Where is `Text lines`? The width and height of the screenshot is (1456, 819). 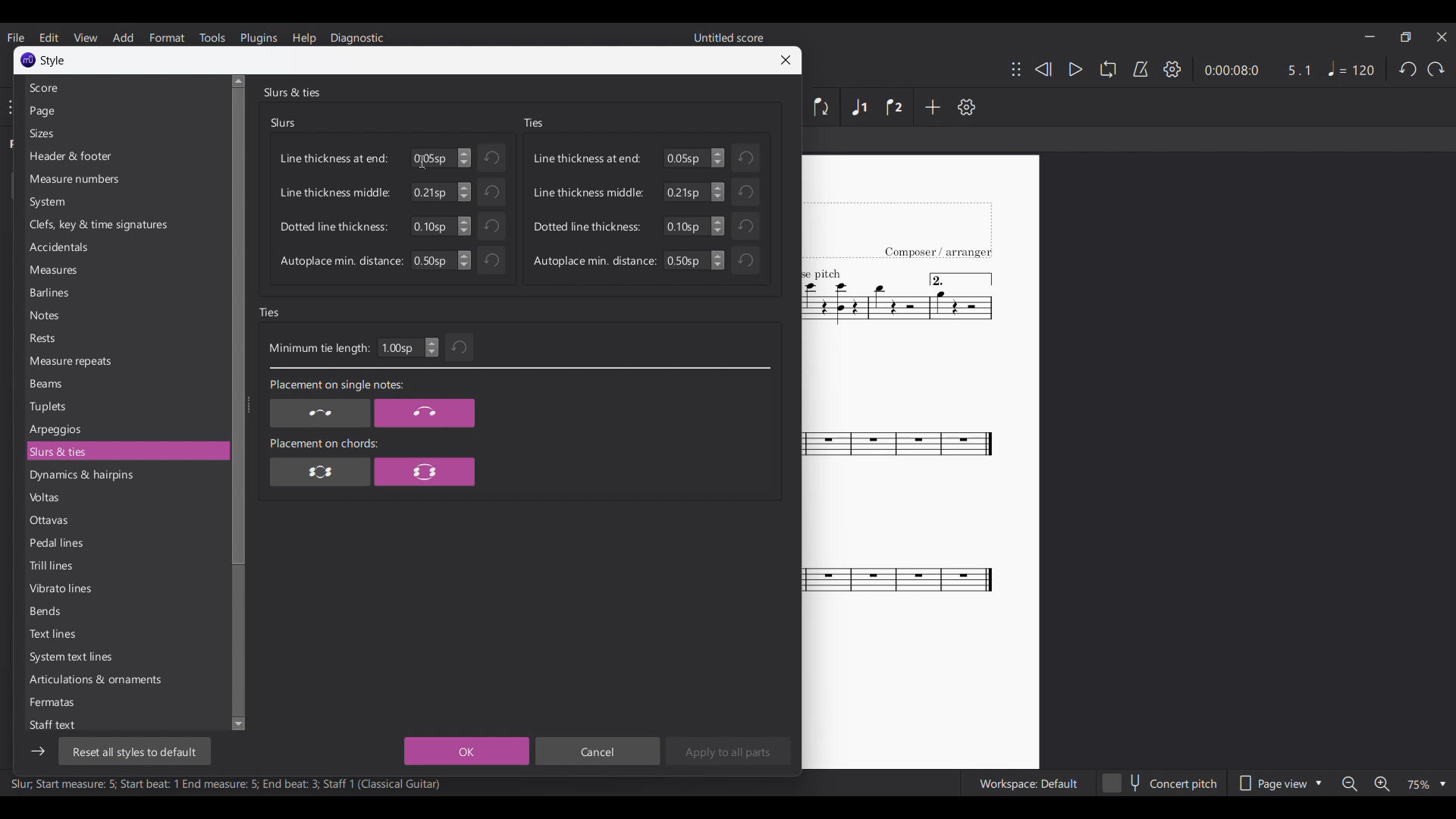 Text lines is located at coordinates (125, 634).